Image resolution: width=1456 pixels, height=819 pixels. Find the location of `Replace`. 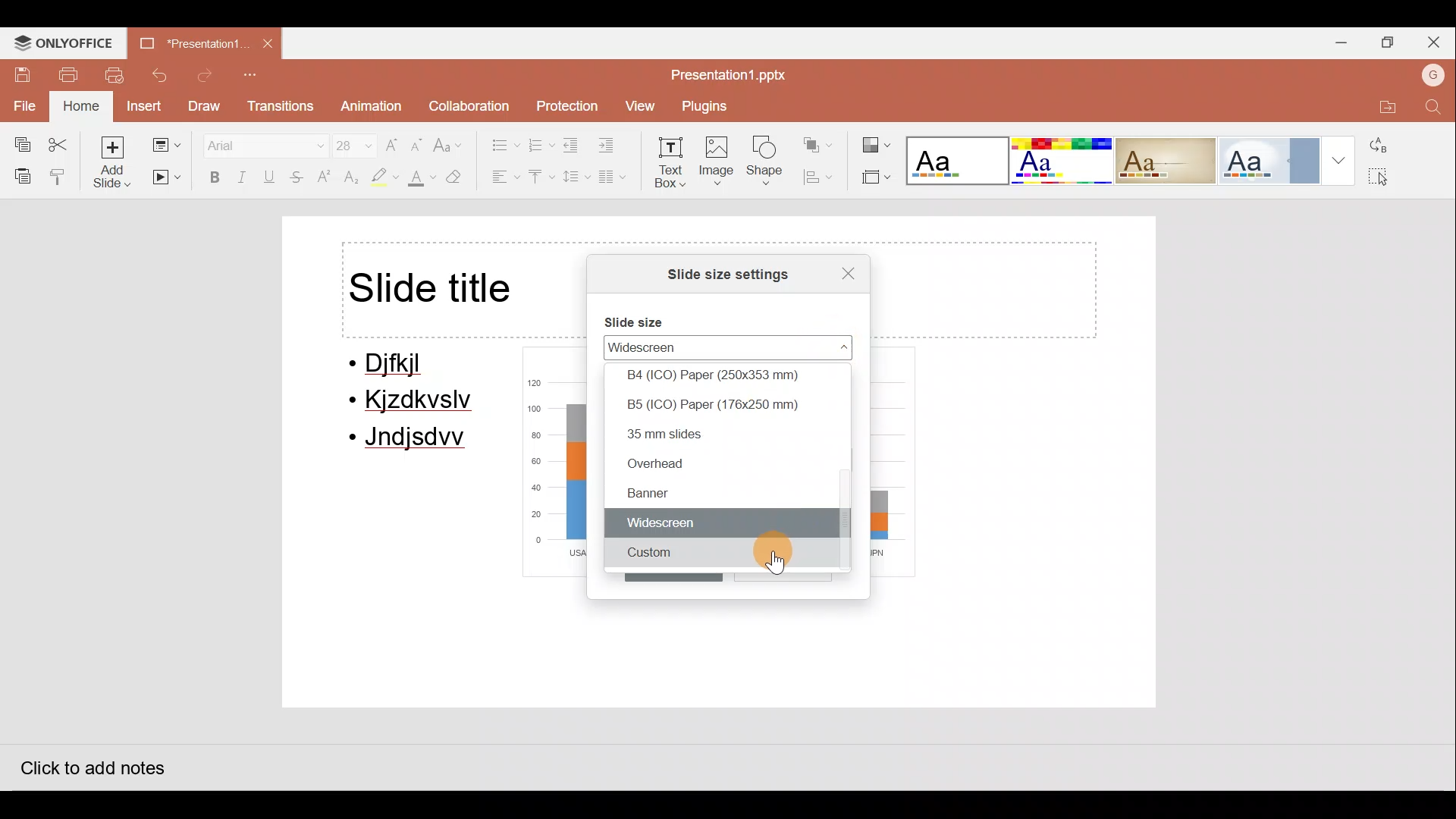

Replace is located at coordinates (1385, 145).